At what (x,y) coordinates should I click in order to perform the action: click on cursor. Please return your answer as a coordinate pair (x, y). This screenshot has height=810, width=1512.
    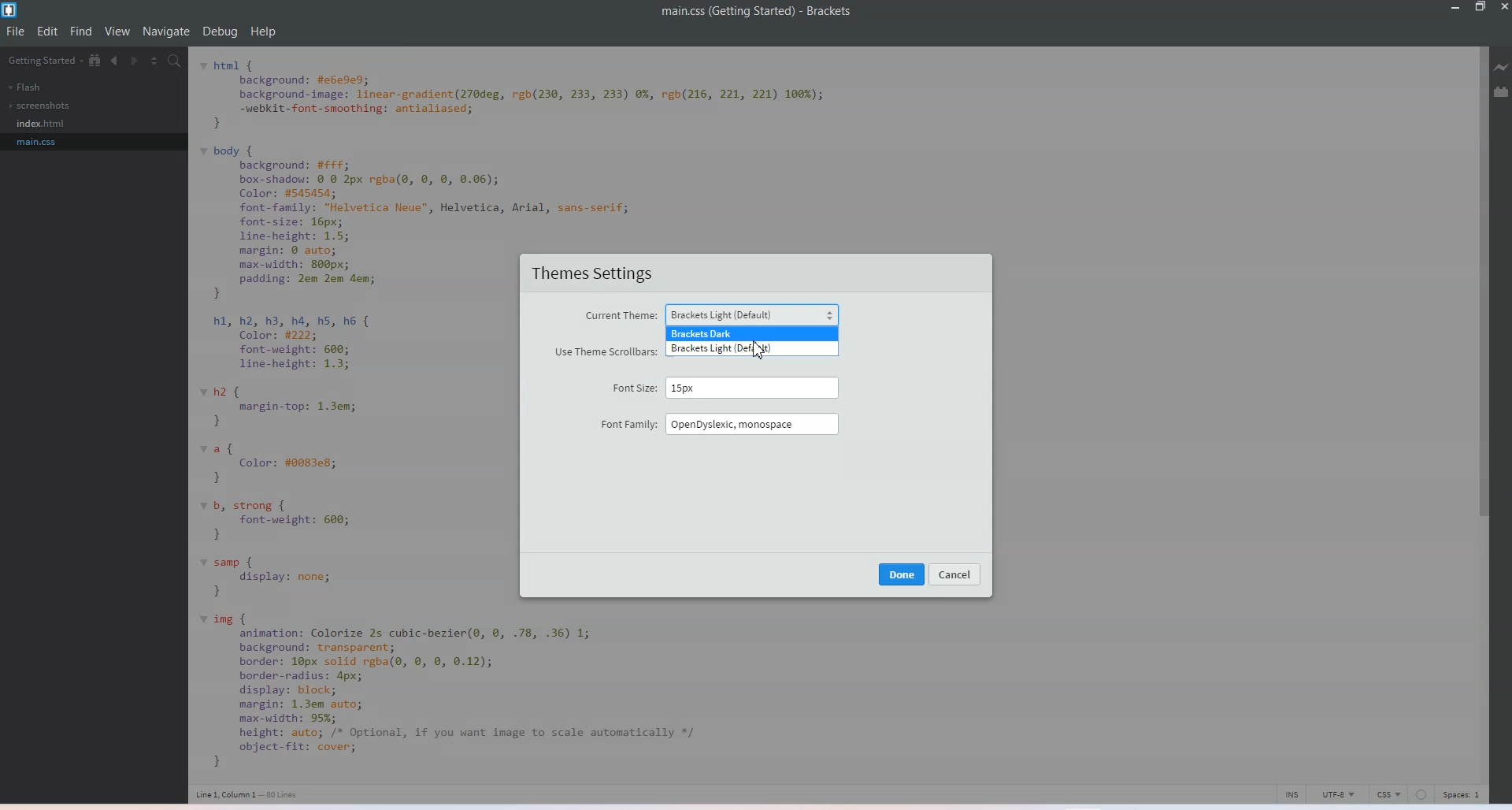
    Looking at the image, I should click on (761, 351).